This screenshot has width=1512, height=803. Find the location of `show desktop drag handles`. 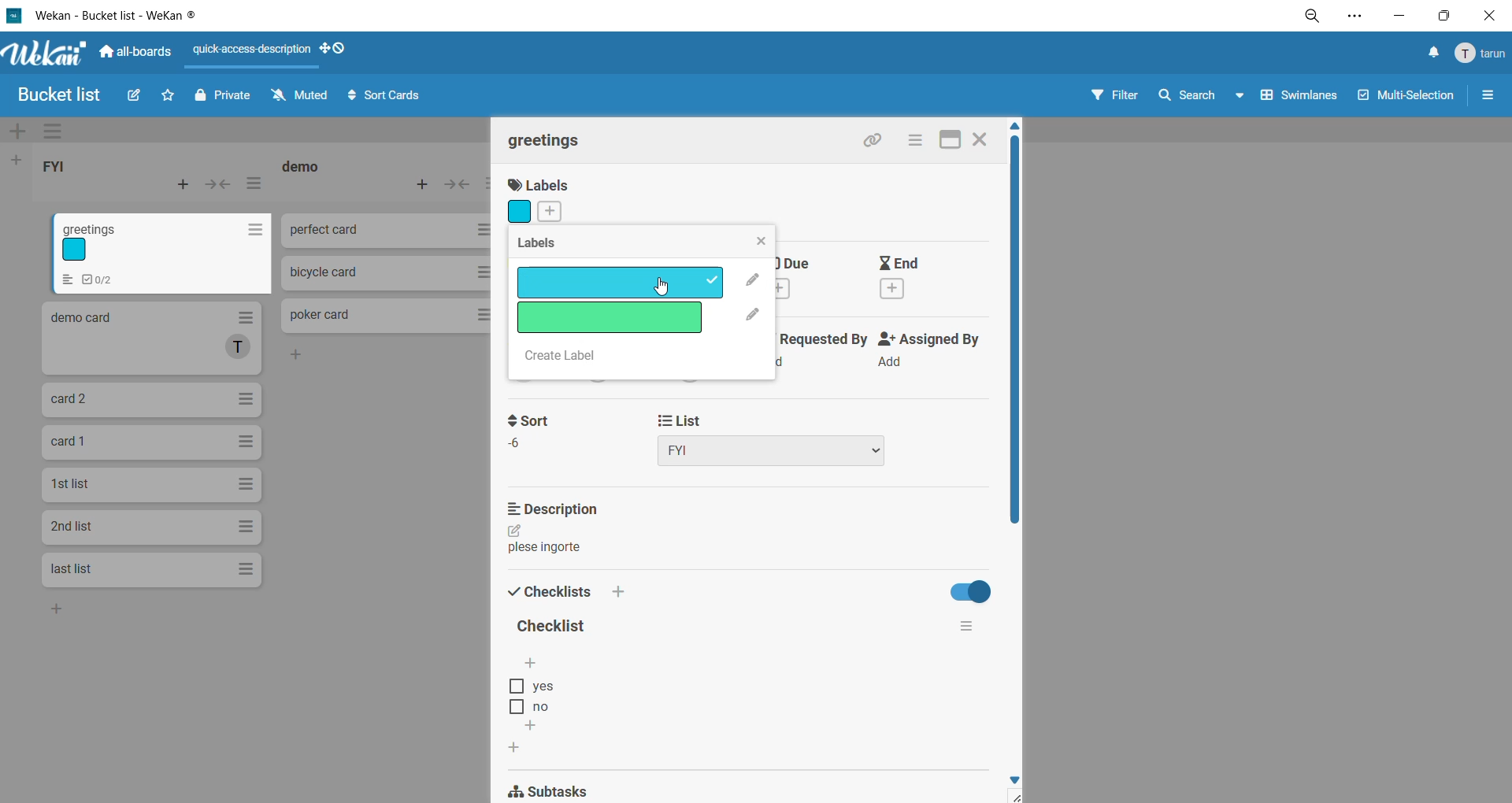

show desktop drag handles is located at coordinates (339, 52).